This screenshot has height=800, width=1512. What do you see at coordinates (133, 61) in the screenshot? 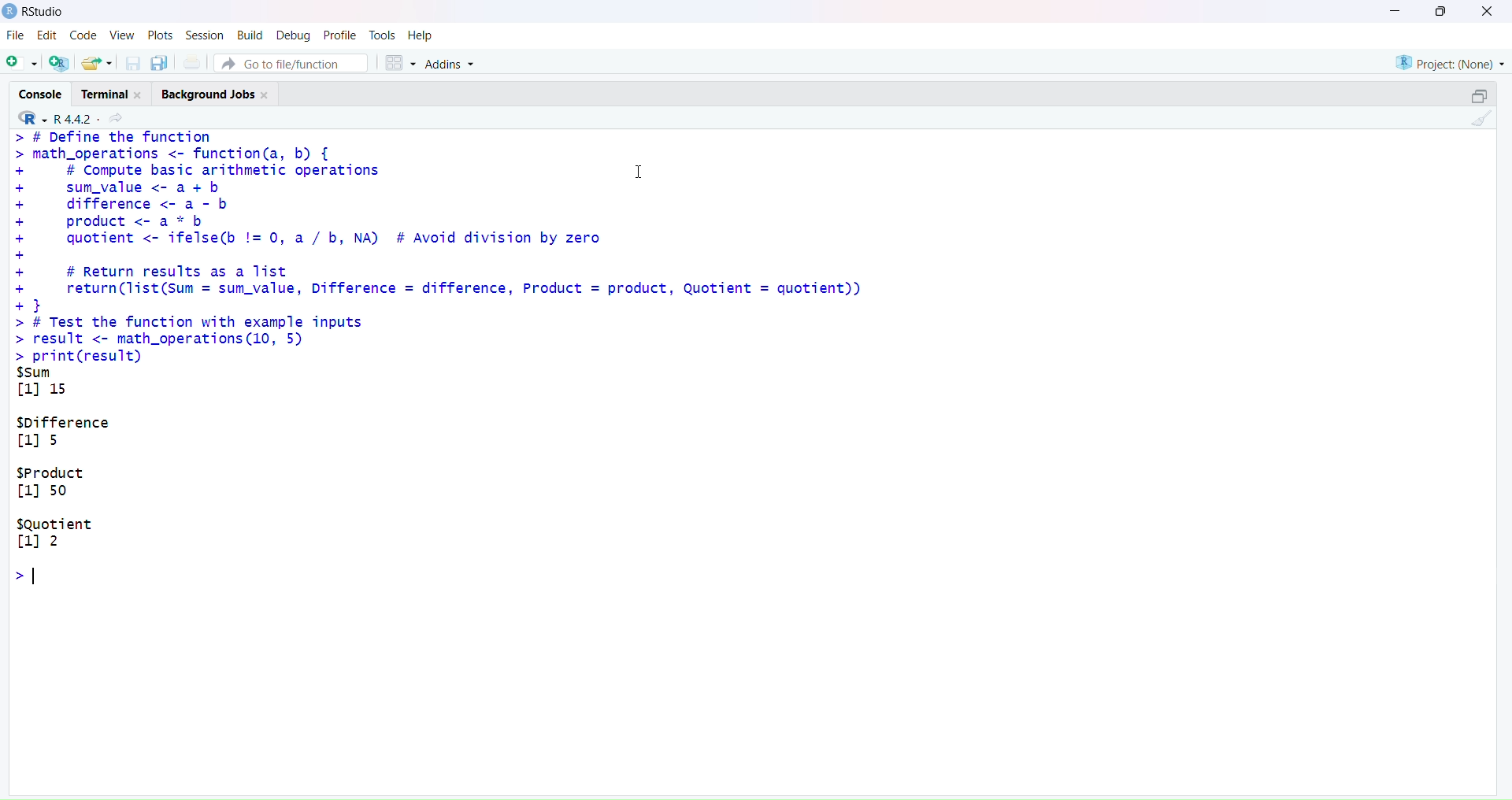
I see `Save current document (Ctrl + S)` at bounding box center [133, 61].